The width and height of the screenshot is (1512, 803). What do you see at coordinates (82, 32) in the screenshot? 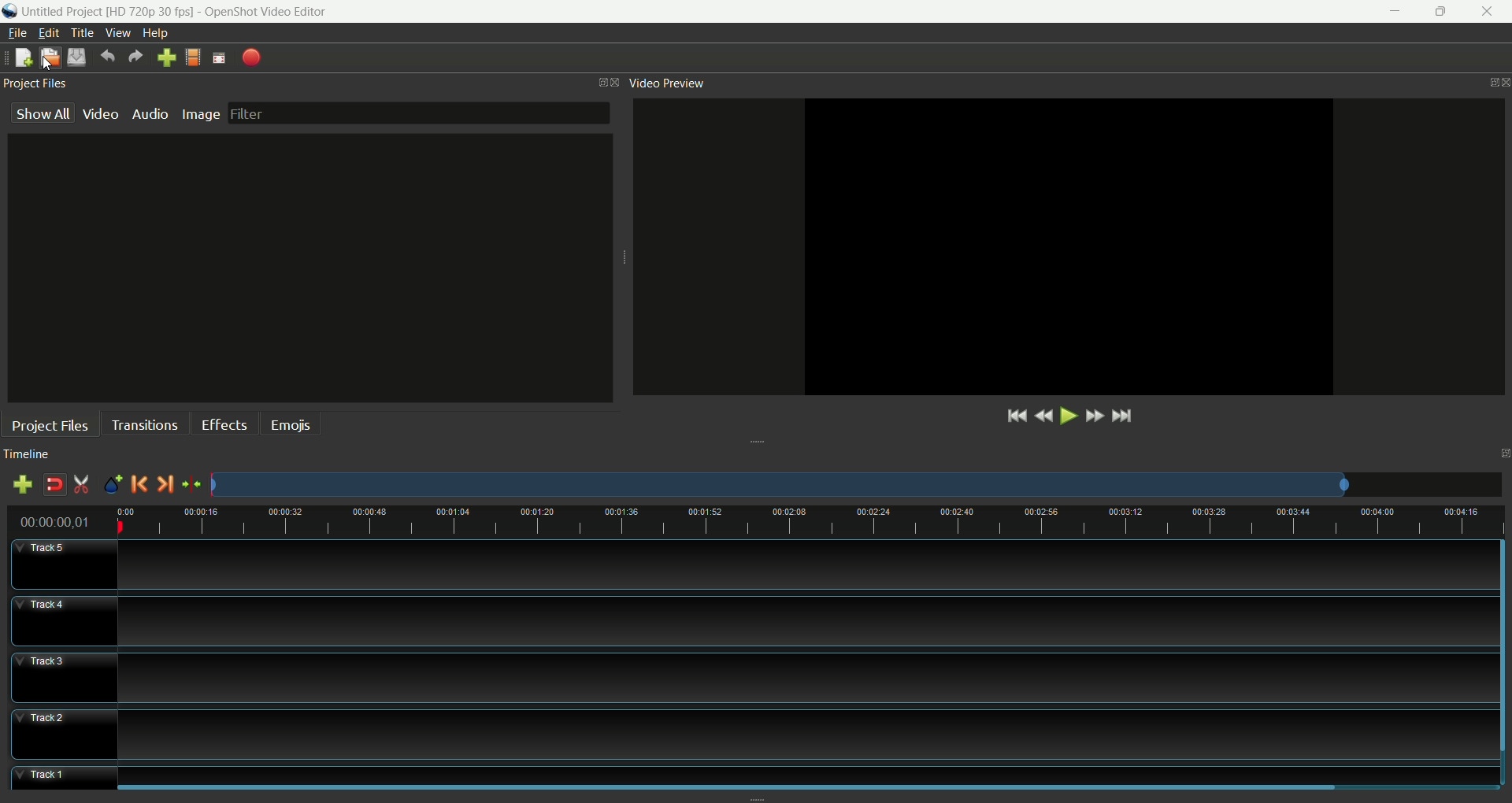
I see `title` at bounding box center [82, 32].